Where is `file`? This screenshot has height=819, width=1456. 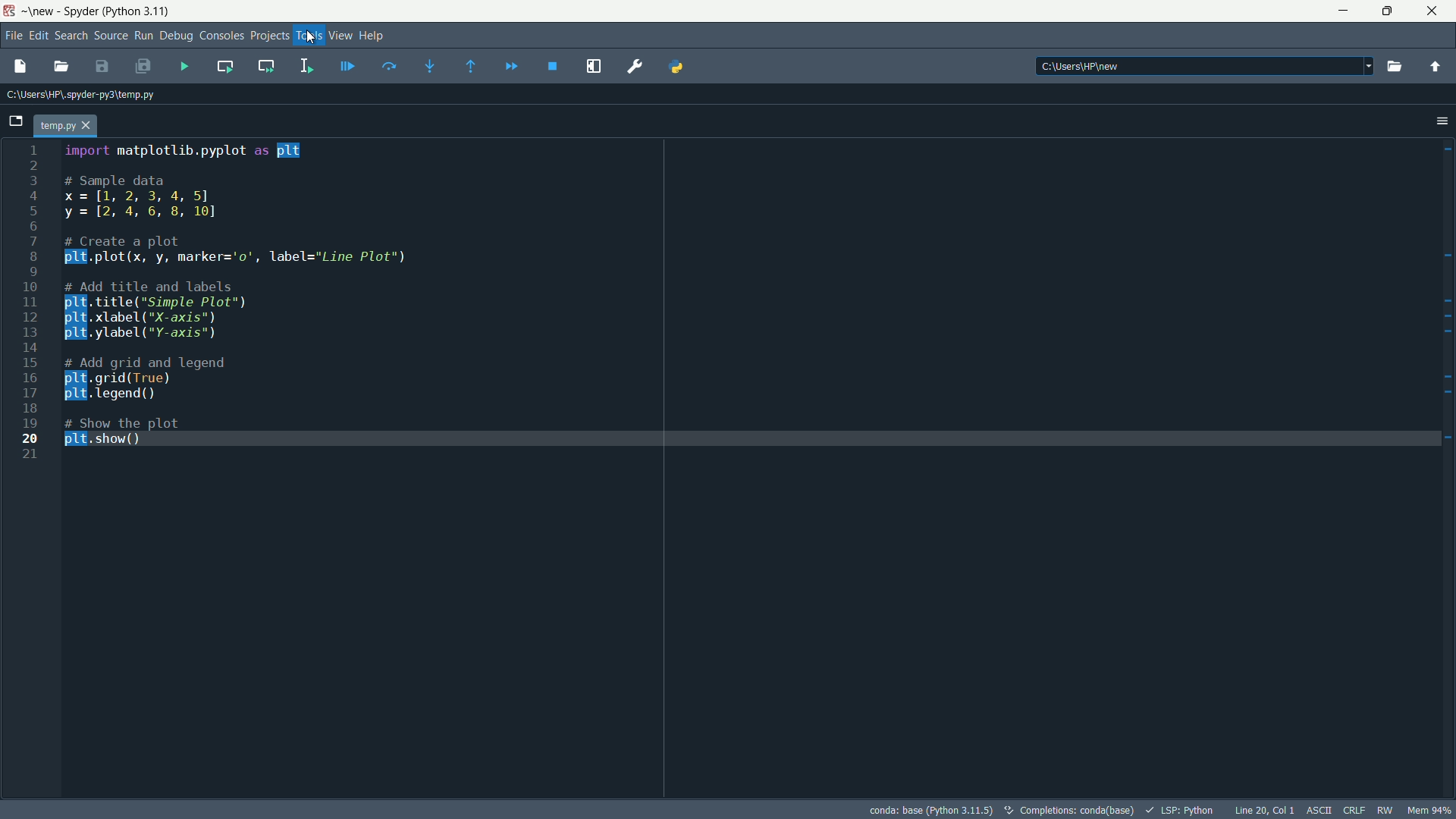
file is located at coordinates (13, 34).